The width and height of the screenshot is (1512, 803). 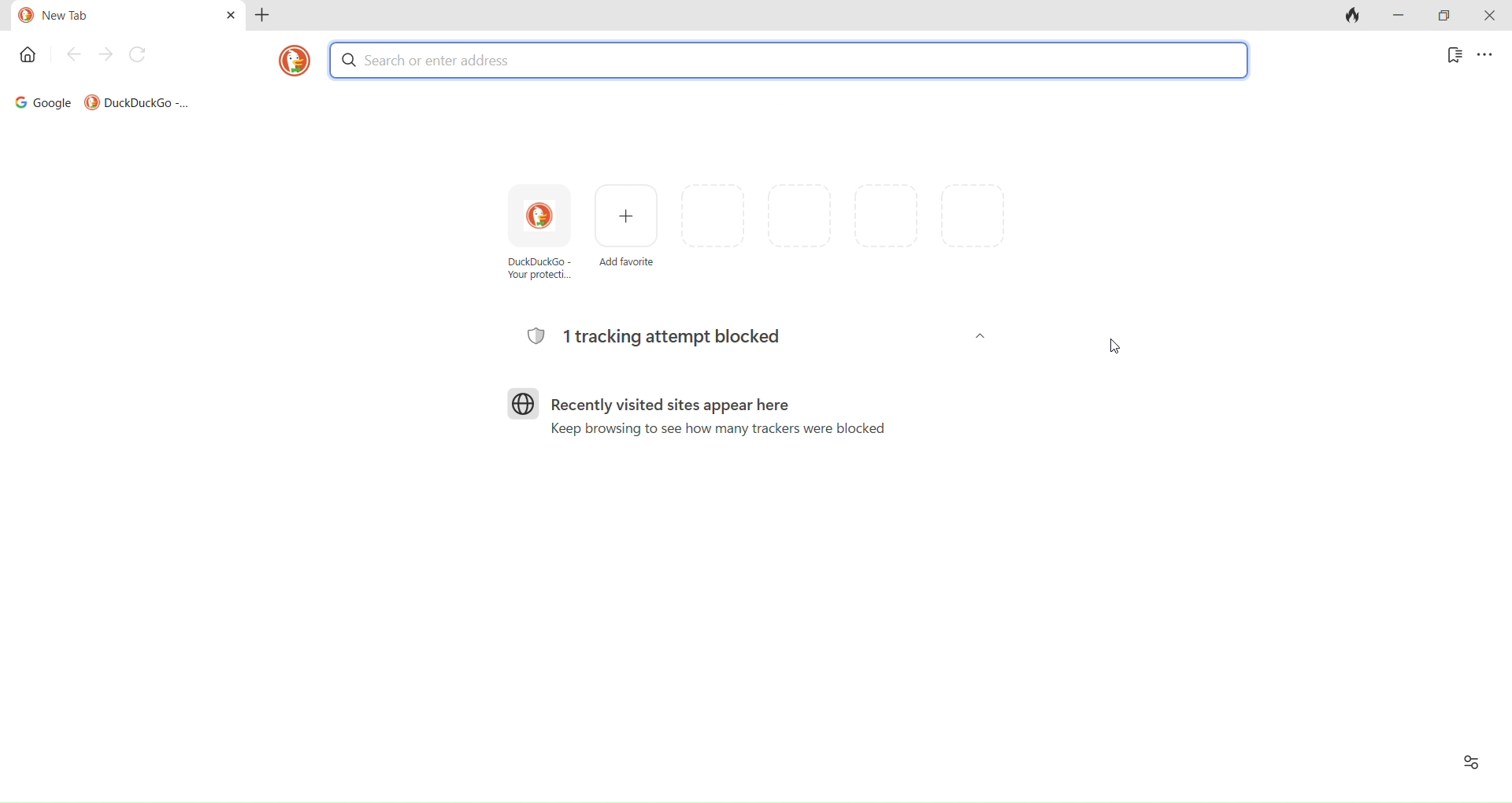 What do you see at coordinates (1448, 58) in the screenshot?
I see `bookmark menu` at bounding box center [1448, 58].